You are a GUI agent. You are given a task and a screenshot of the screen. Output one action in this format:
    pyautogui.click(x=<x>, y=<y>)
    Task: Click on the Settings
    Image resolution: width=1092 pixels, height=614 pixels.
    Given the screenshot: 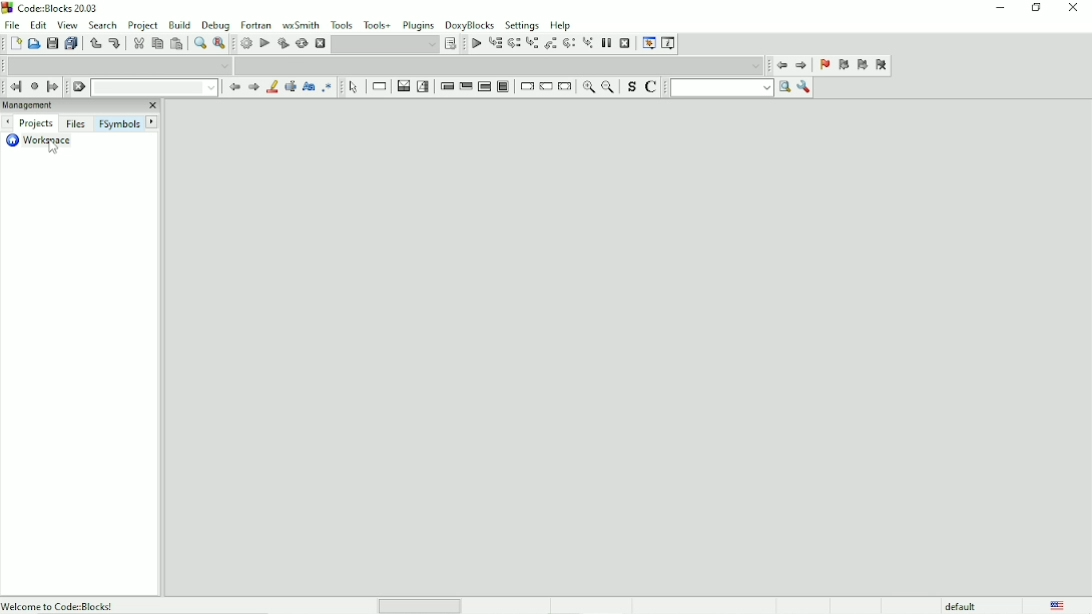 What is the action you would take?
    pyautogui.click(x=522, y=25)
    